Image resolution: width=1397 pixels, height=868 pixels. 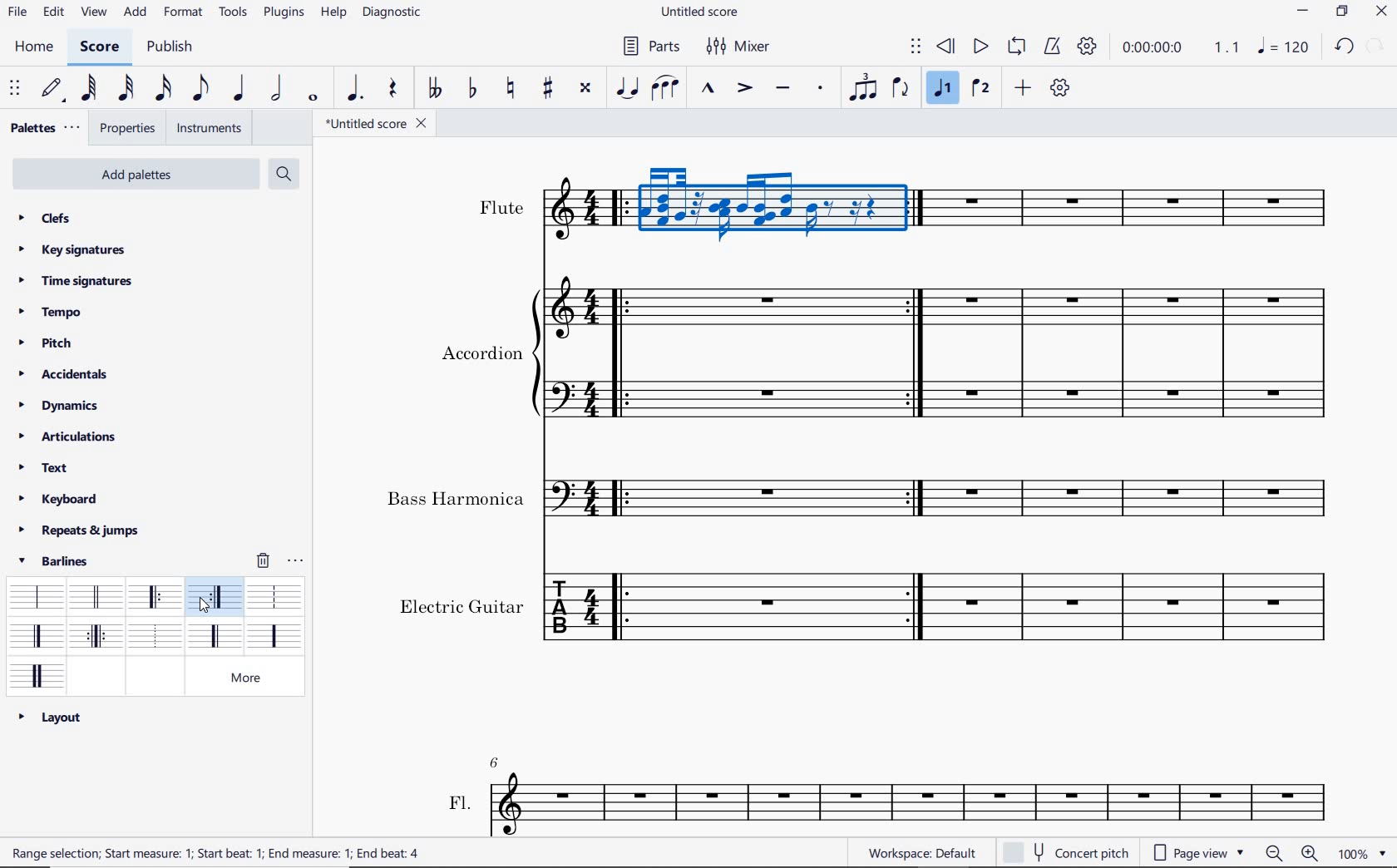 I want to click on double bar line, so click(x=95, y=596).